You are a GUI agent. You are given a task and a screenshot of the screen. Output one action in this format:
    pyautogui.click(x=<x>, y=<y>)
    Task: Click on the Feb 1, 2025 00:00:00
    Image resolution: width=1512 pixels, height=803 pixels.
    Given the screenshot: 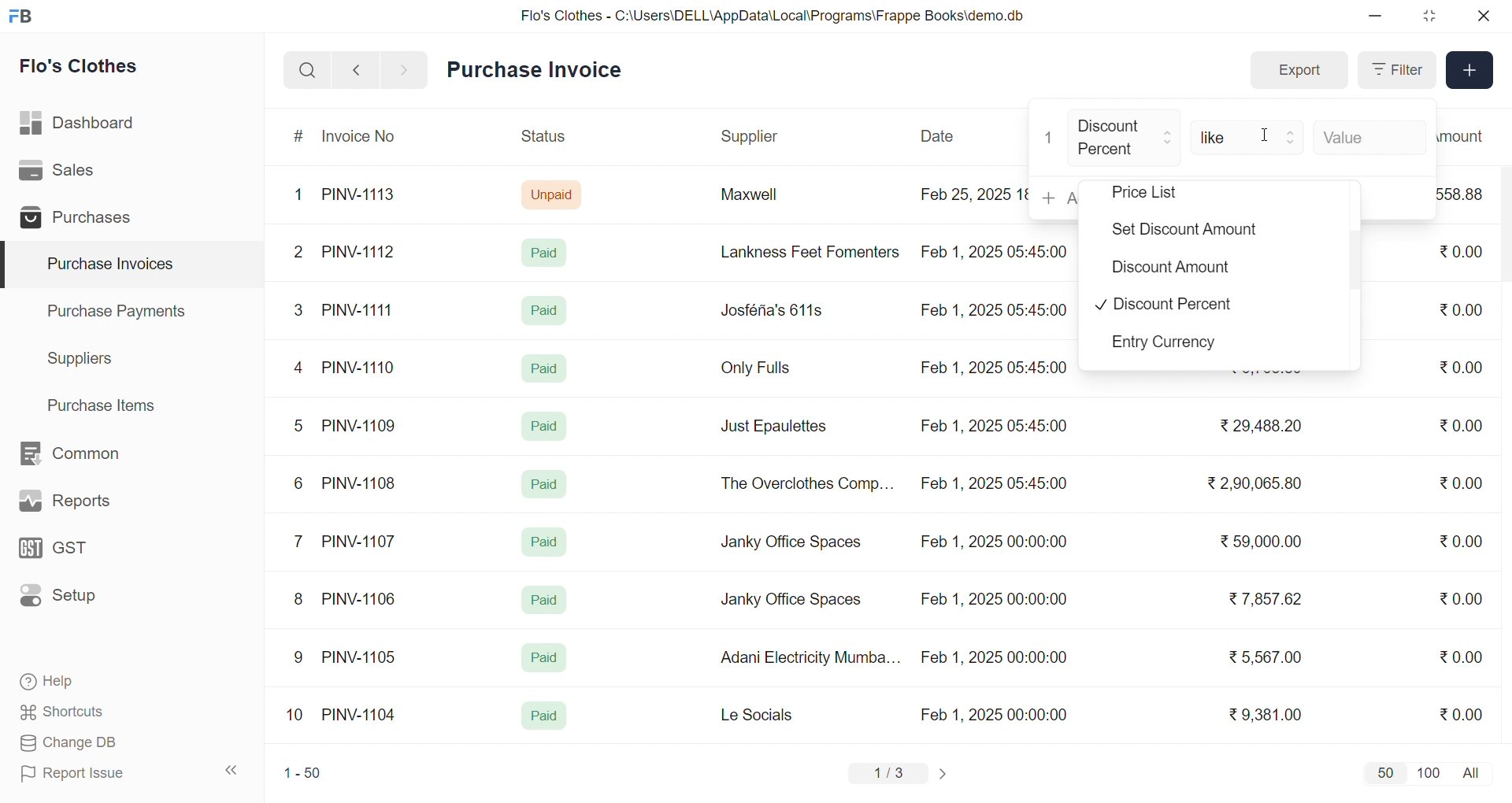 What is the action you would take?
    pyautogui.click(x=991, y=597)
    